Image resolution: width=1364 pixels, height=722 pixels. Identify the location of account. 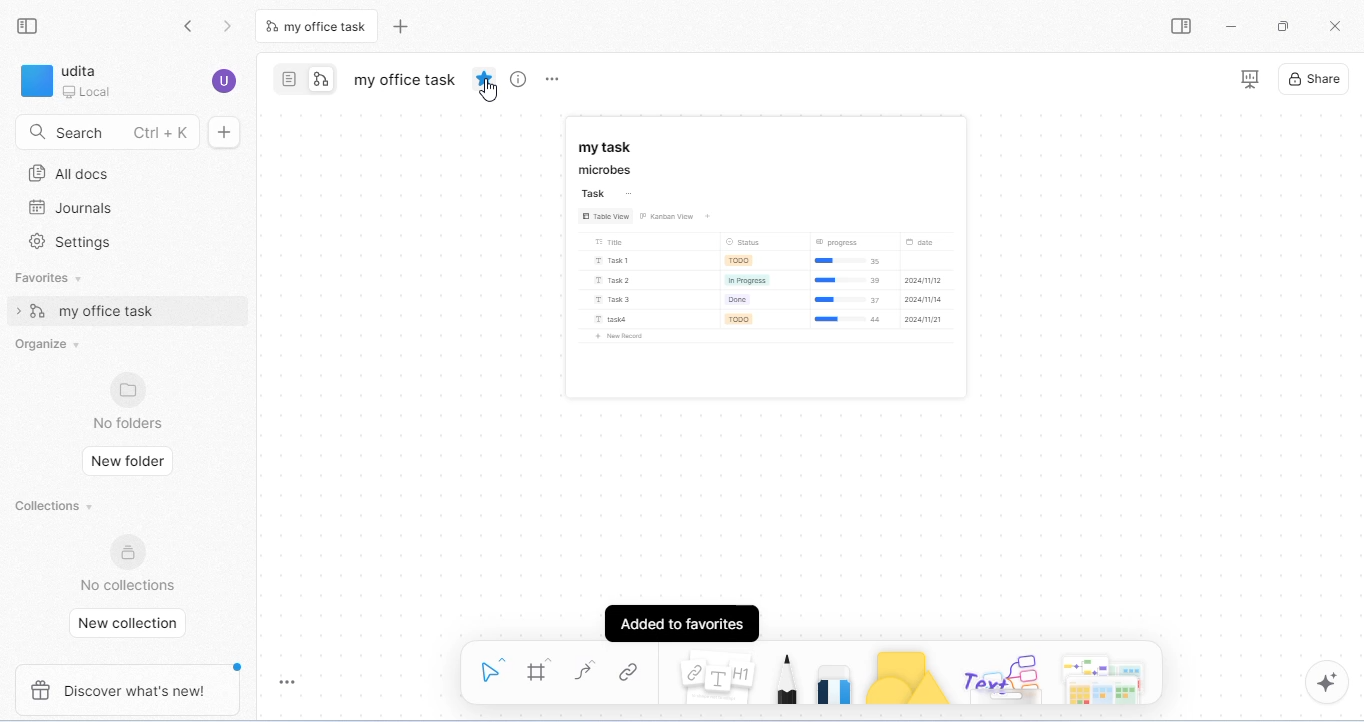
(223, 79).